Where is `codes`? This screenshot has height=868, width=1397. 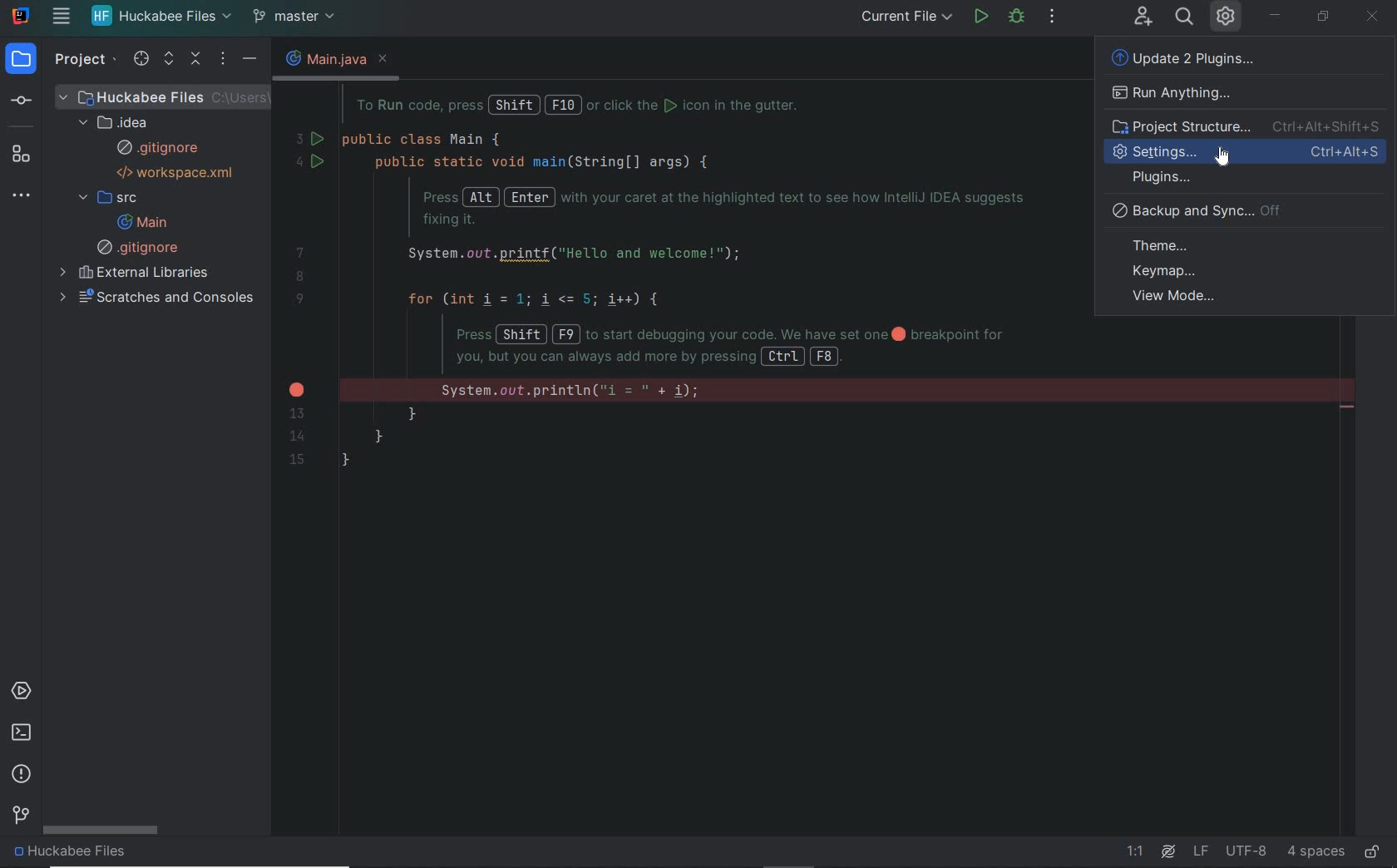
codes is located at coordinates (681, 289).